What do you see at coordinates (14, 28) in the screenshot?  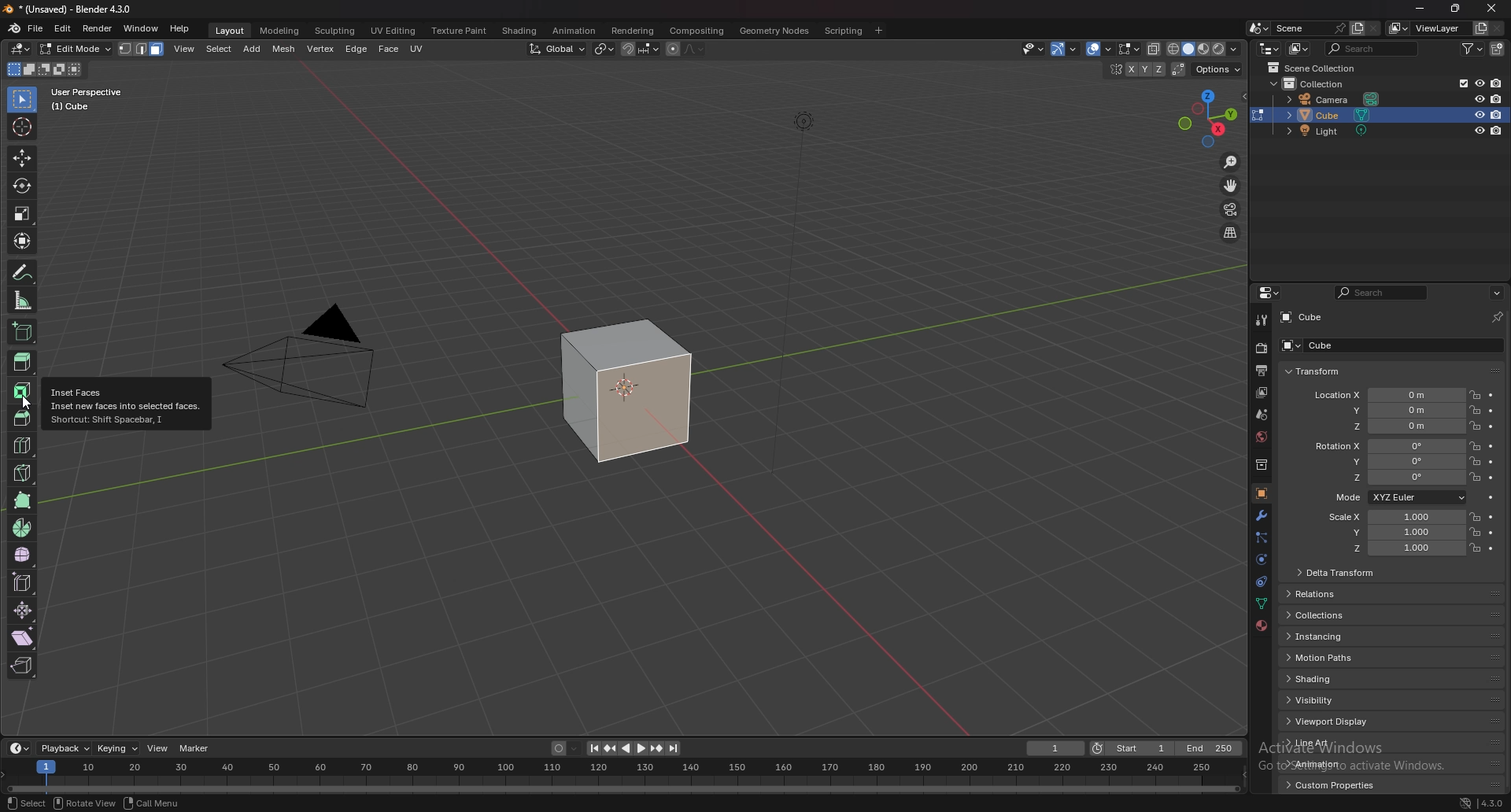 I see `blender` at bounding box center [14, 28].